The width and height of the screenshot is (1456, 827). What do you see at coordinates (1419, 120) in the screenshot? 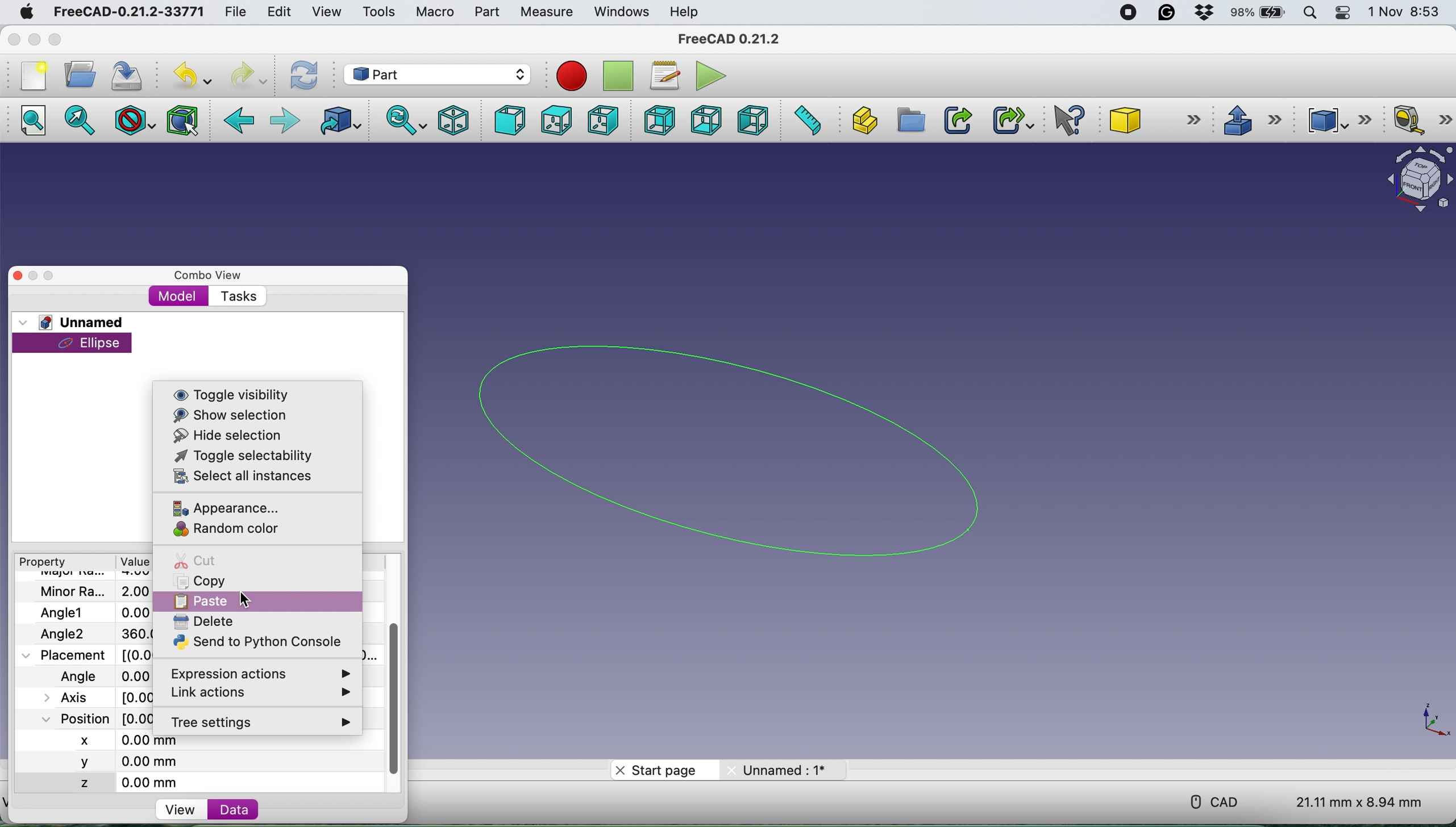
I see `measure linear` at bounding box center [1419, 120].